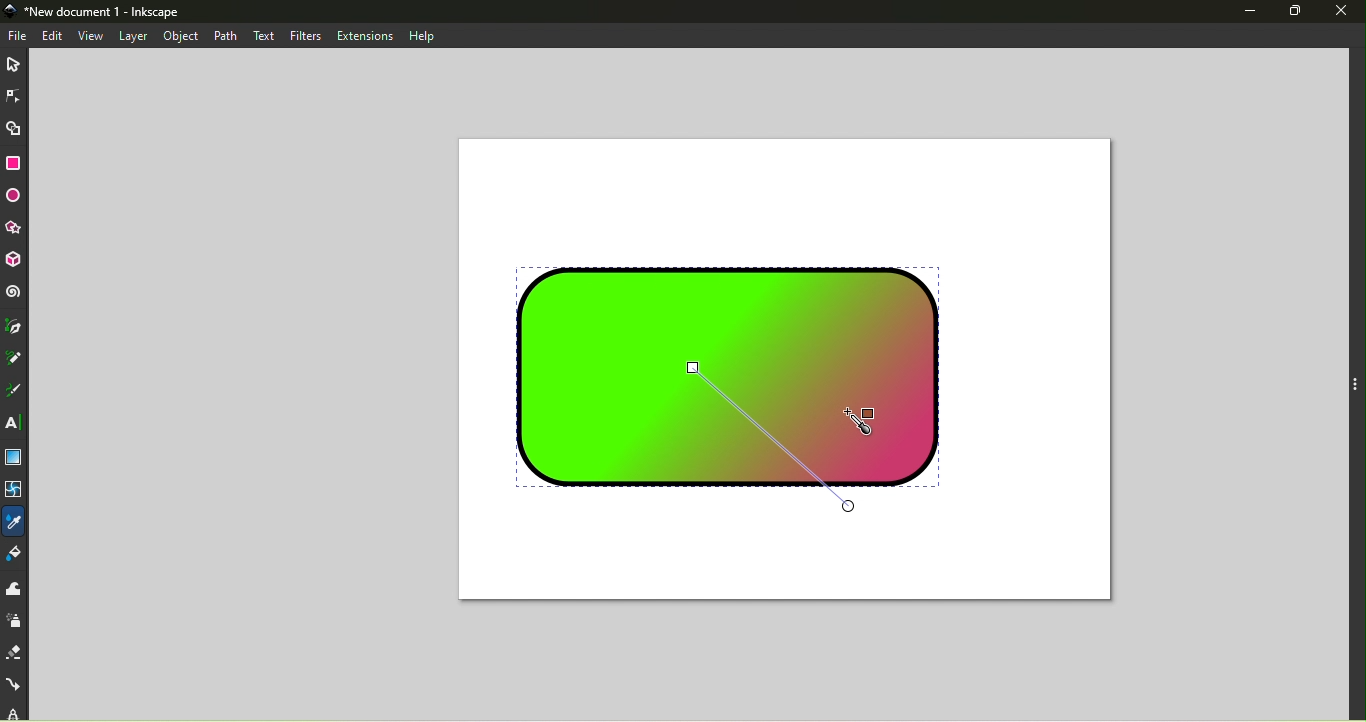 The image size is (1366, 722). Describe the element at coordinates (90, 36) in the screenshot. I see `View` at that location.